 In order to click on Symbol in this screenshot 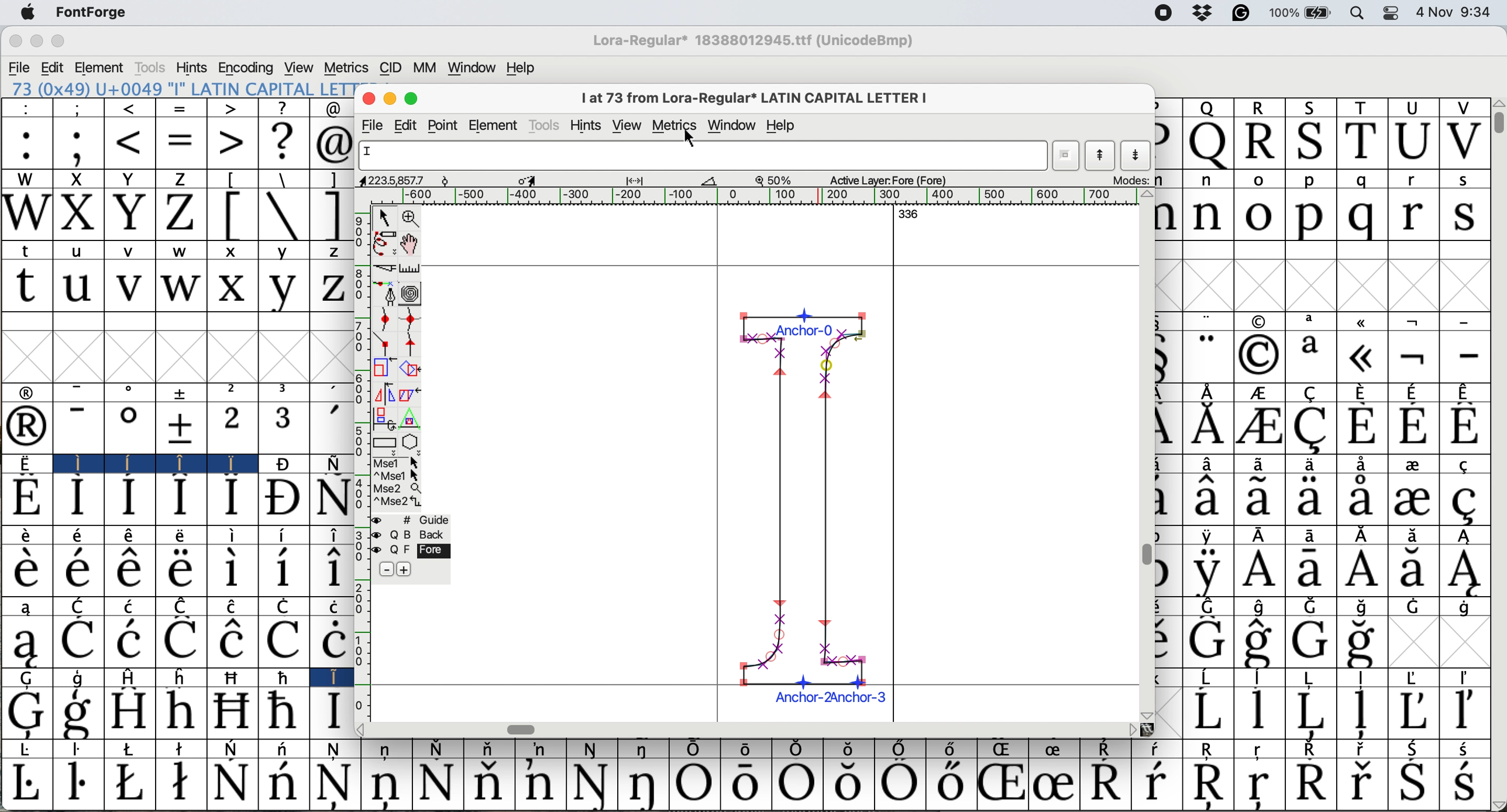, I will do `click(129, 499)`.